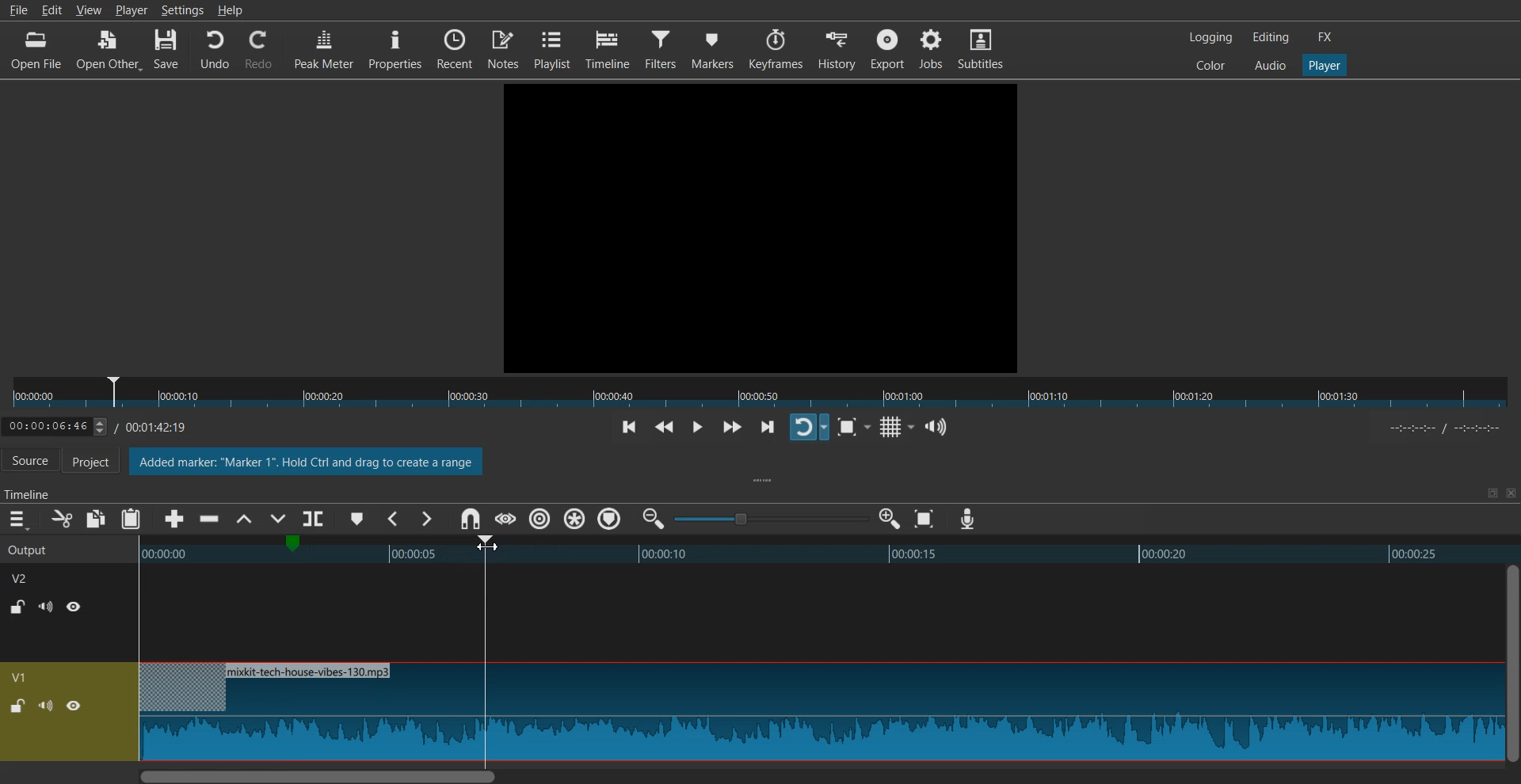 The height and width of the screenshot is (784, 1521). I want to click on Hamburger menu, so click(17, 519).